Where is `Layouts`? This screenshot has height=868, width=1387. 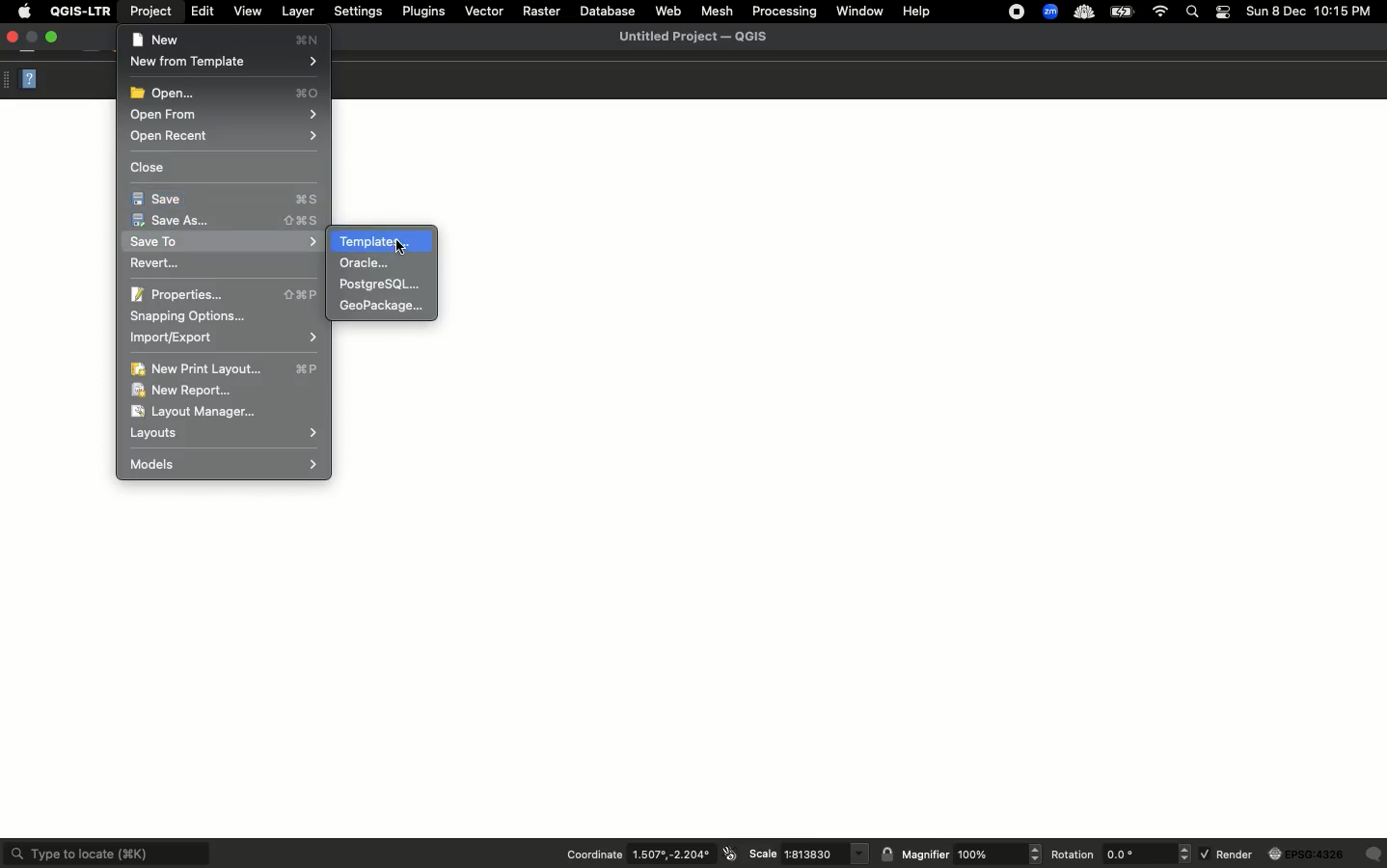 Layouts is located at coordinates (225, 434).